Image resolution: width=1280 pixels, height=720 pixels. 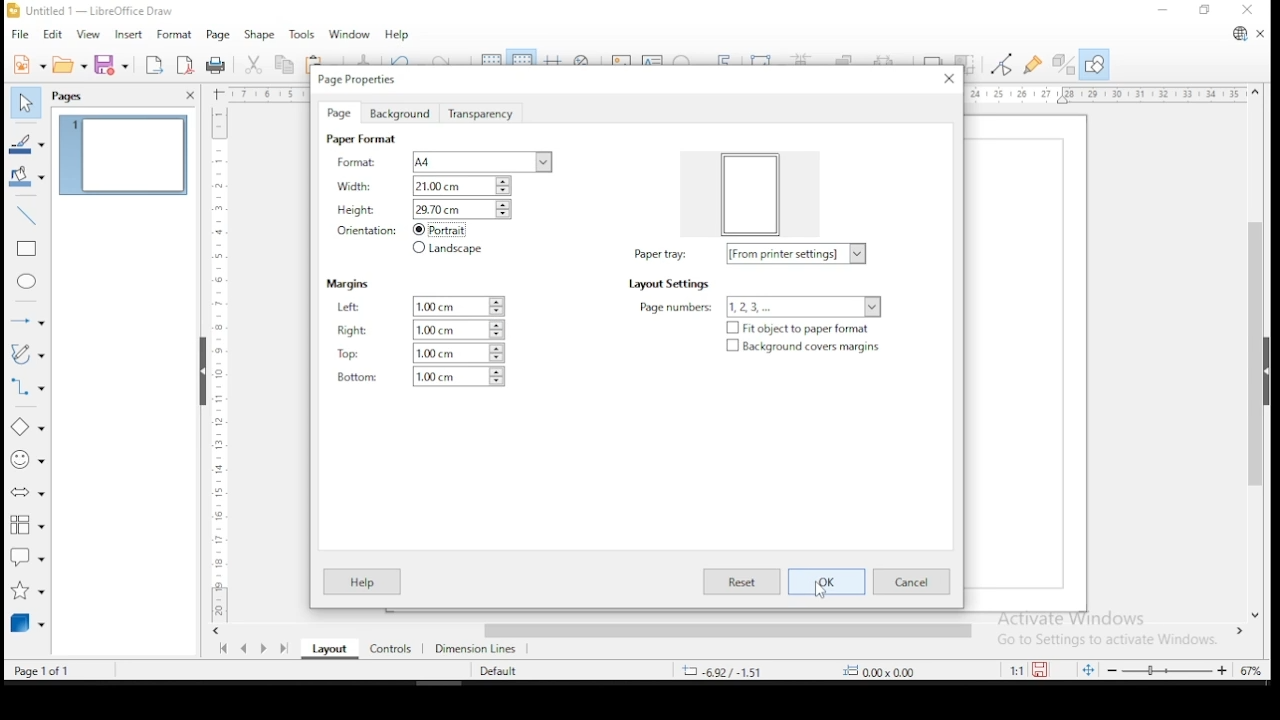 I want to click on bottom margin settings, so click(x=419, y=377).